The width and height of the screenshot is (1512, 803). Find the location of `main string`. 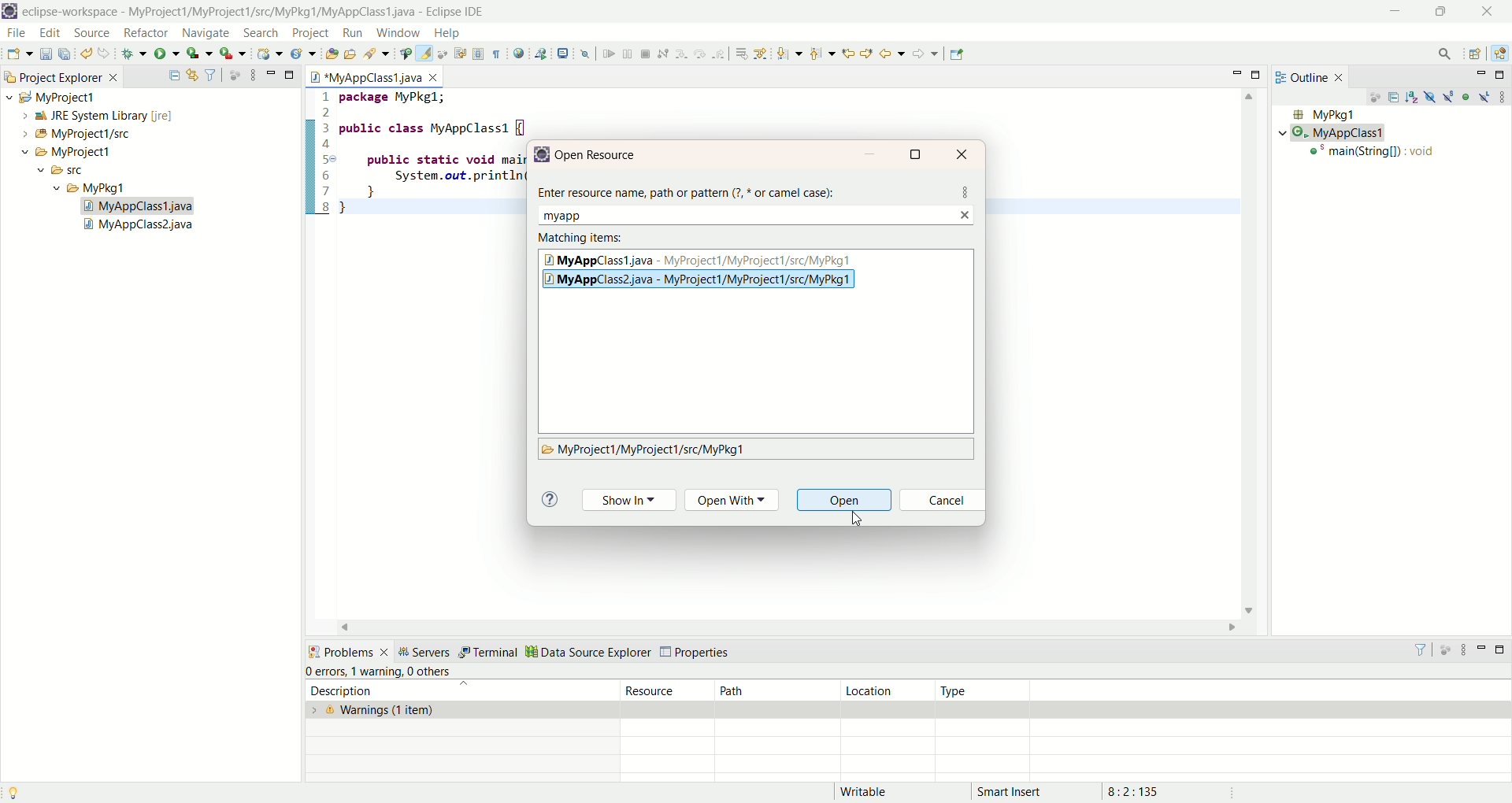

main string is located at coordinates (1376, 154).